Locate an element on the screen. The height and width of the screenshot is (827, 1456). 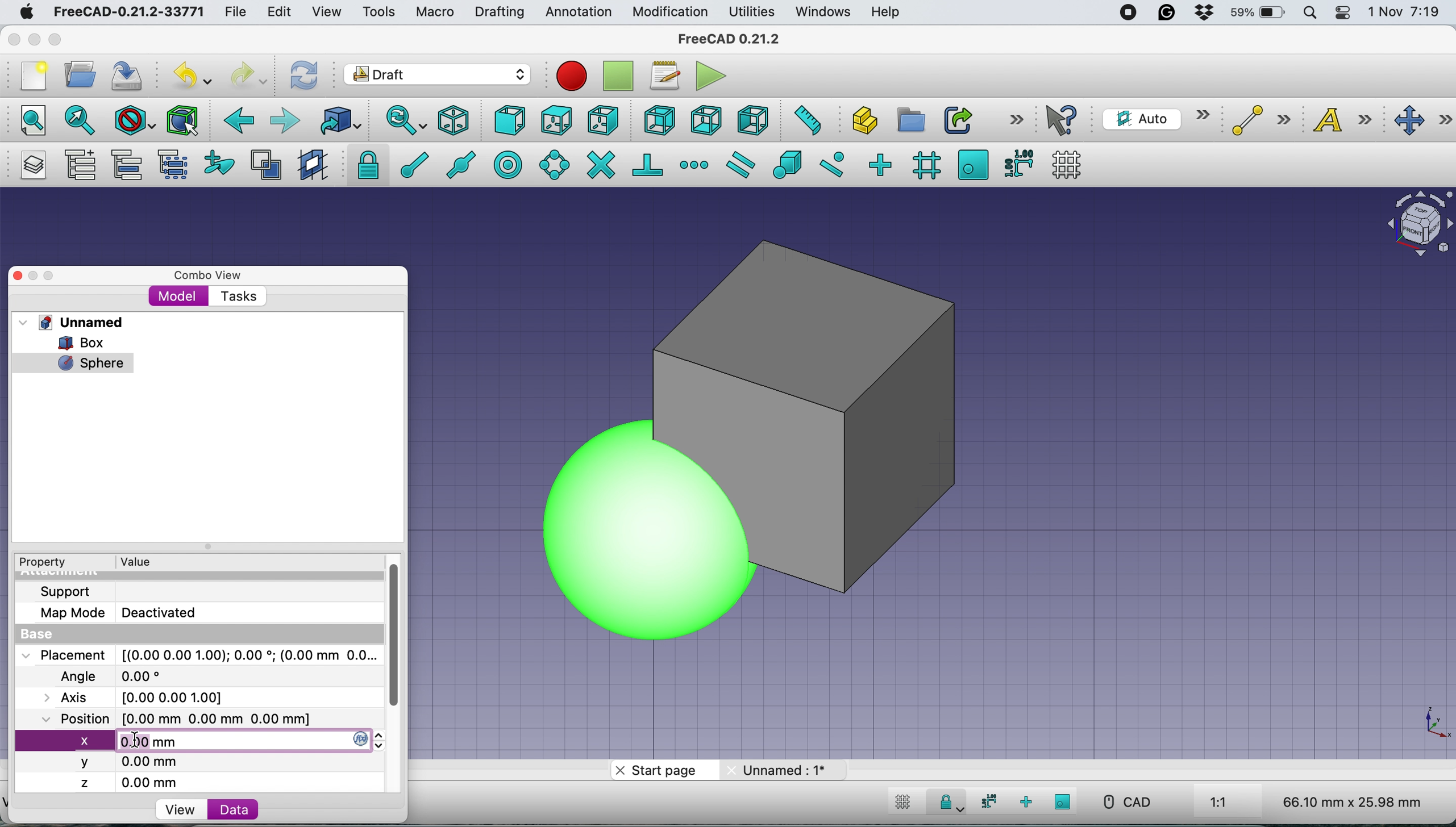
snap near is located at coordinates (832, 163).